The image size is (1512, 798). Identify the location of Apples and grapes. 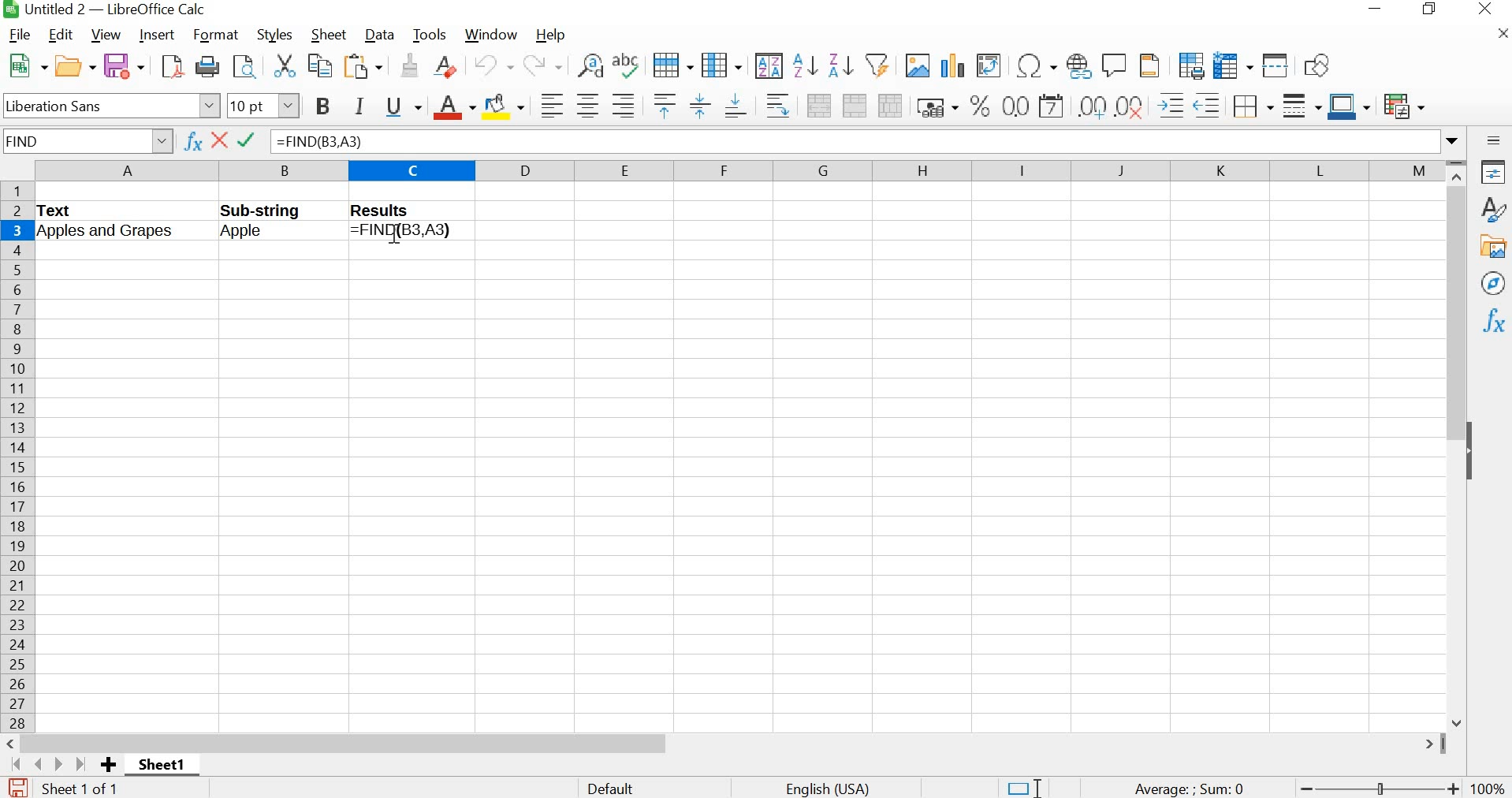
(120, 233).